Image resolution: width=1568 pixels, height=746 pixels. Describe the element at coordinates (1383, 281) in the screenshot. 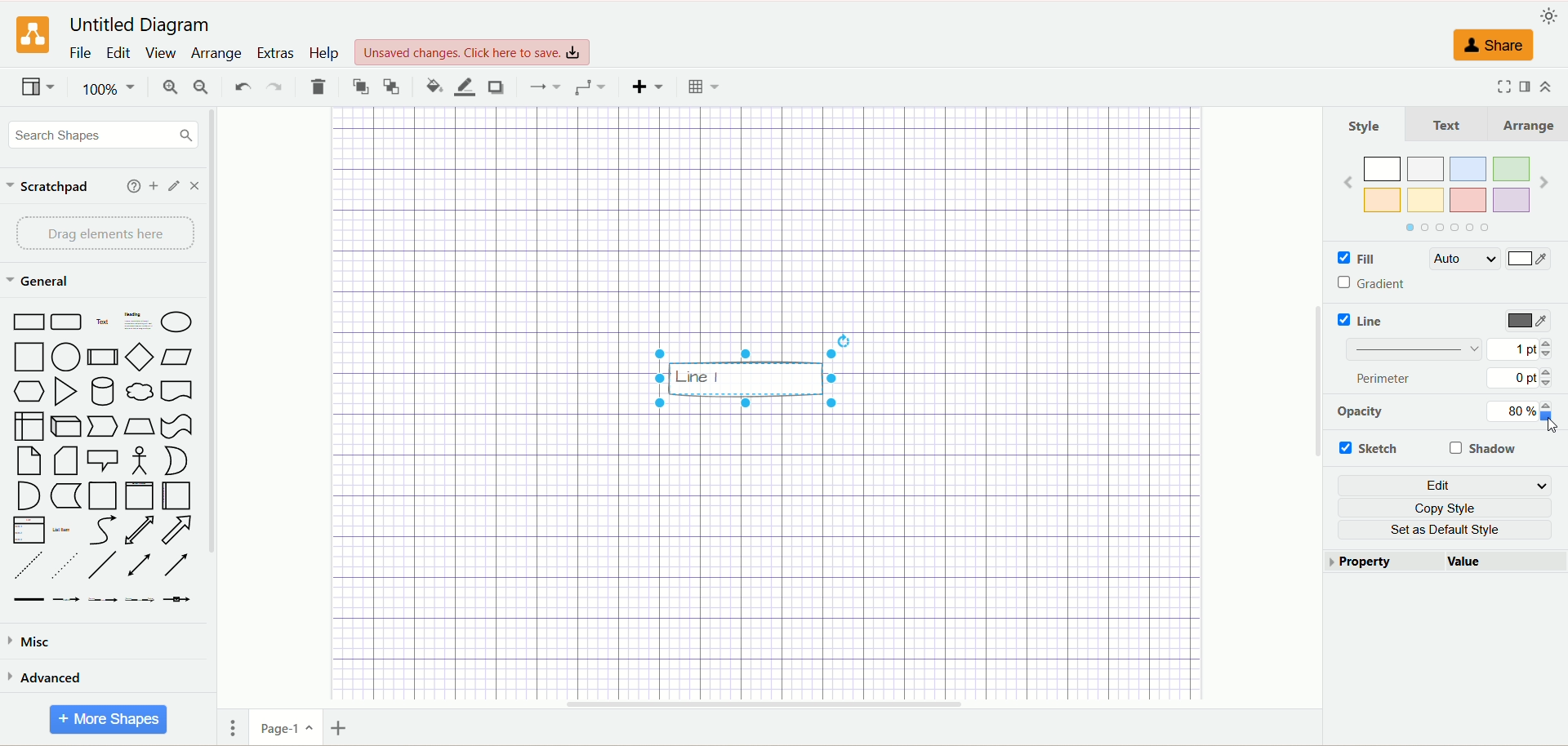

I see `Gradient` at that location.